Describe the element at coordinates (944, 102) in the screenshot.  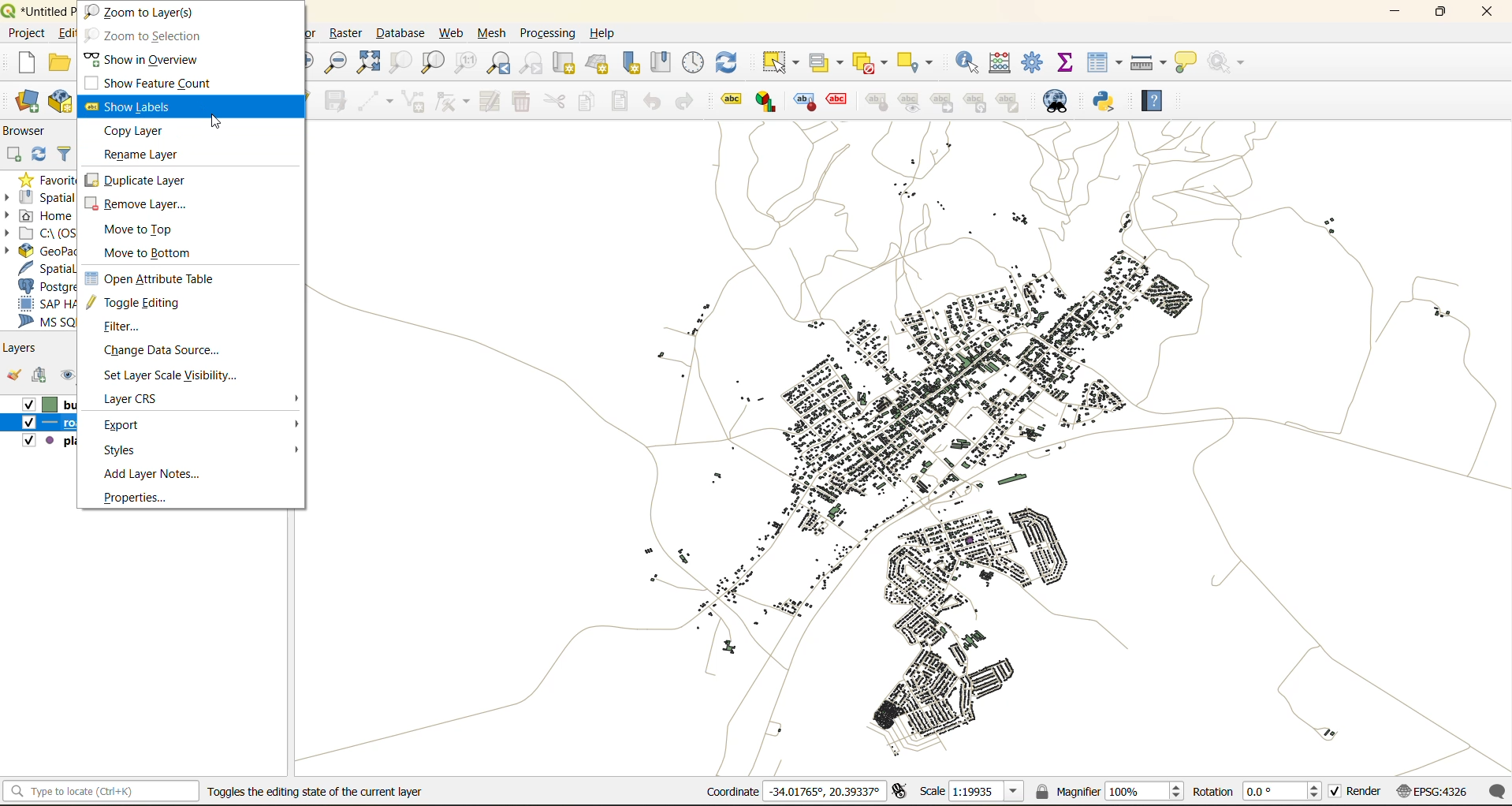
I see `move a label,diagram or callout` at that location.